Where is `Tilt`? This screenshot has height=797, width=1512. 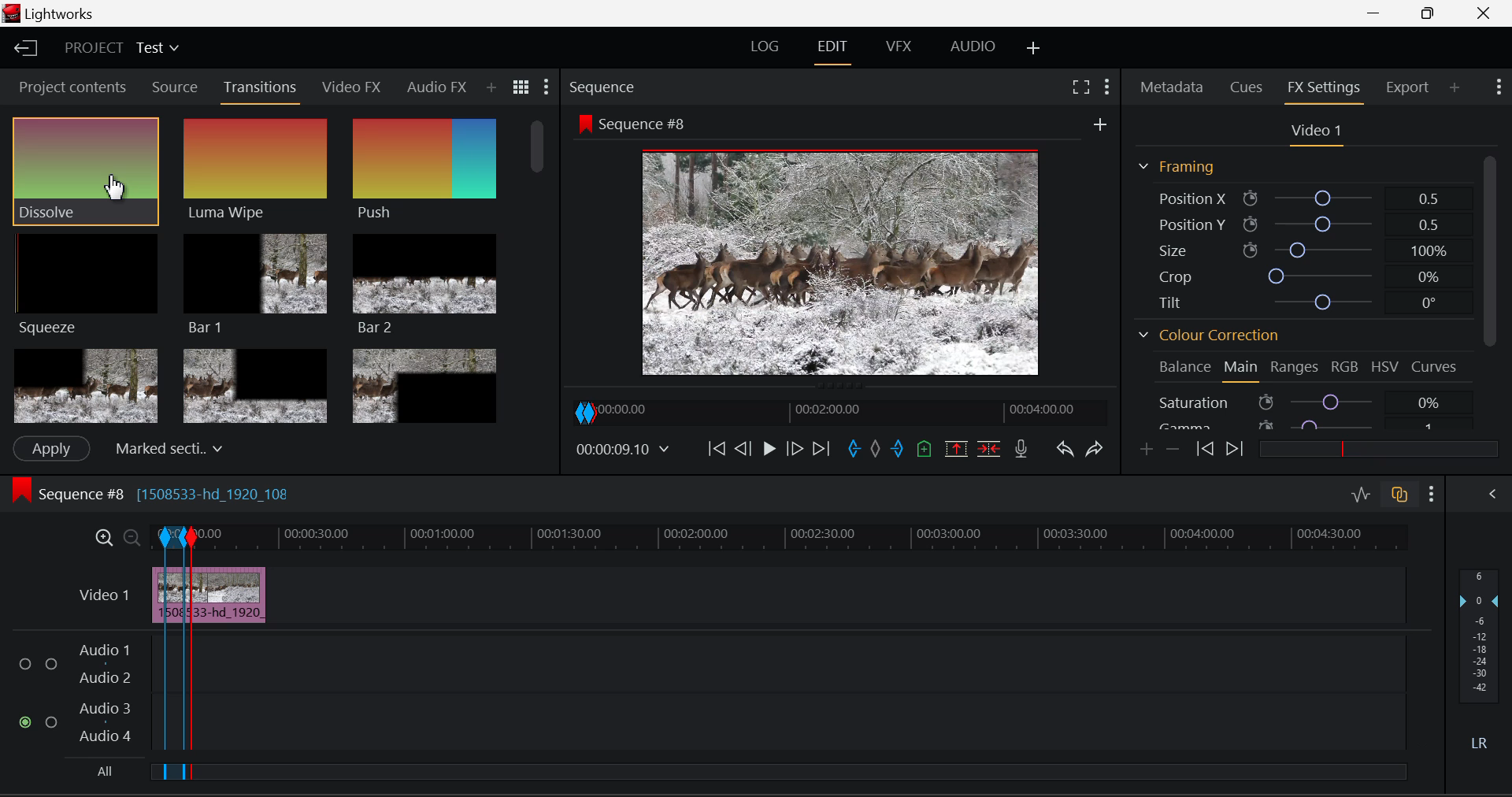
Tilt is located at coordinates (1295, 301).